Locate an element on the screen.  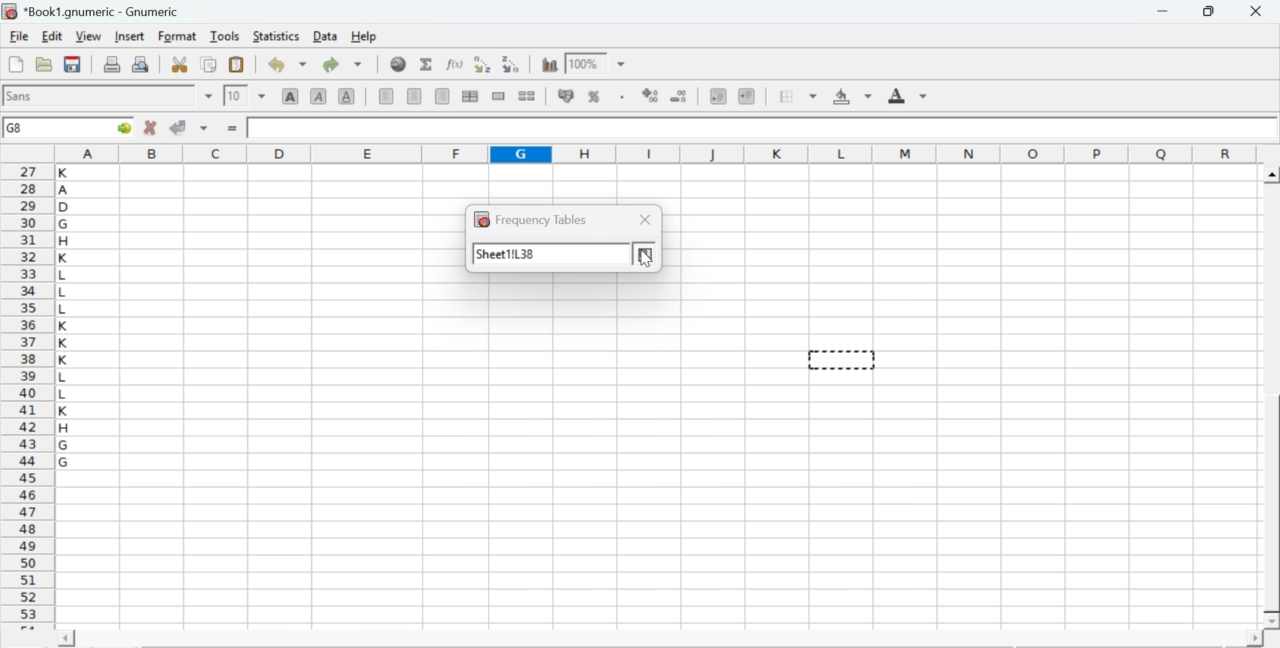
application name is located at coordinates (94, 9).